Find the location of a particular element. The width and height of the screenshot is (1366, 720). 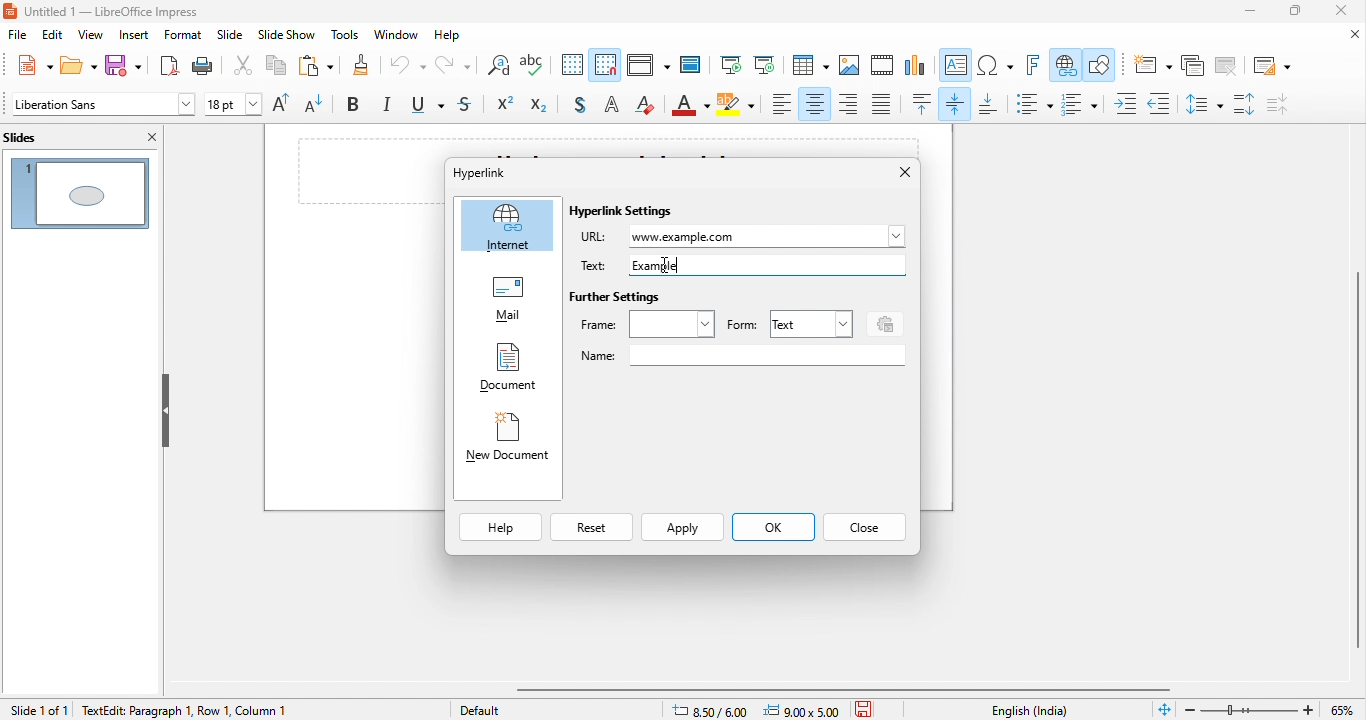

form is located at coordinates (742, 326).